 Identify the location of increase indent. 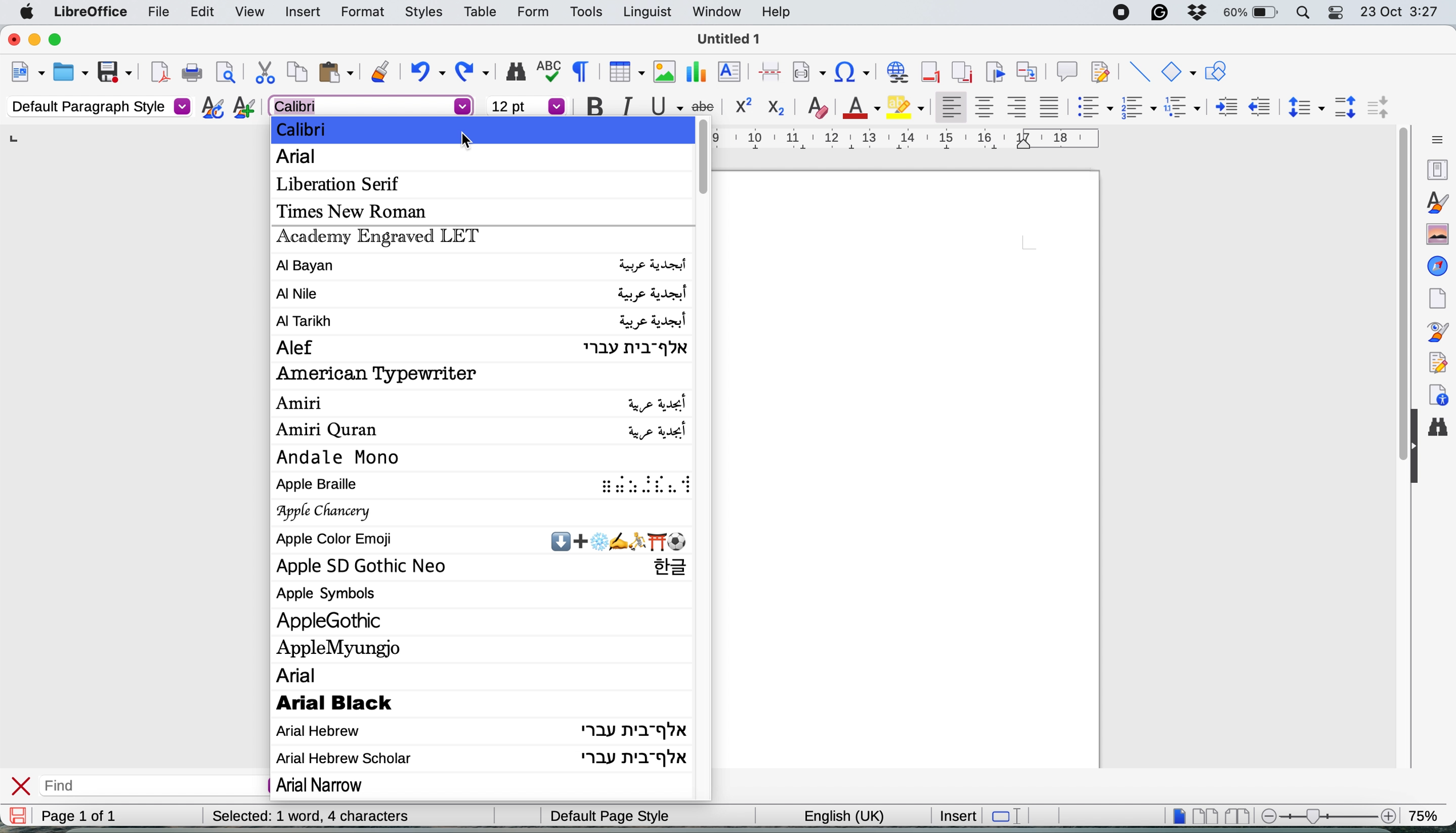
(1220, 107).